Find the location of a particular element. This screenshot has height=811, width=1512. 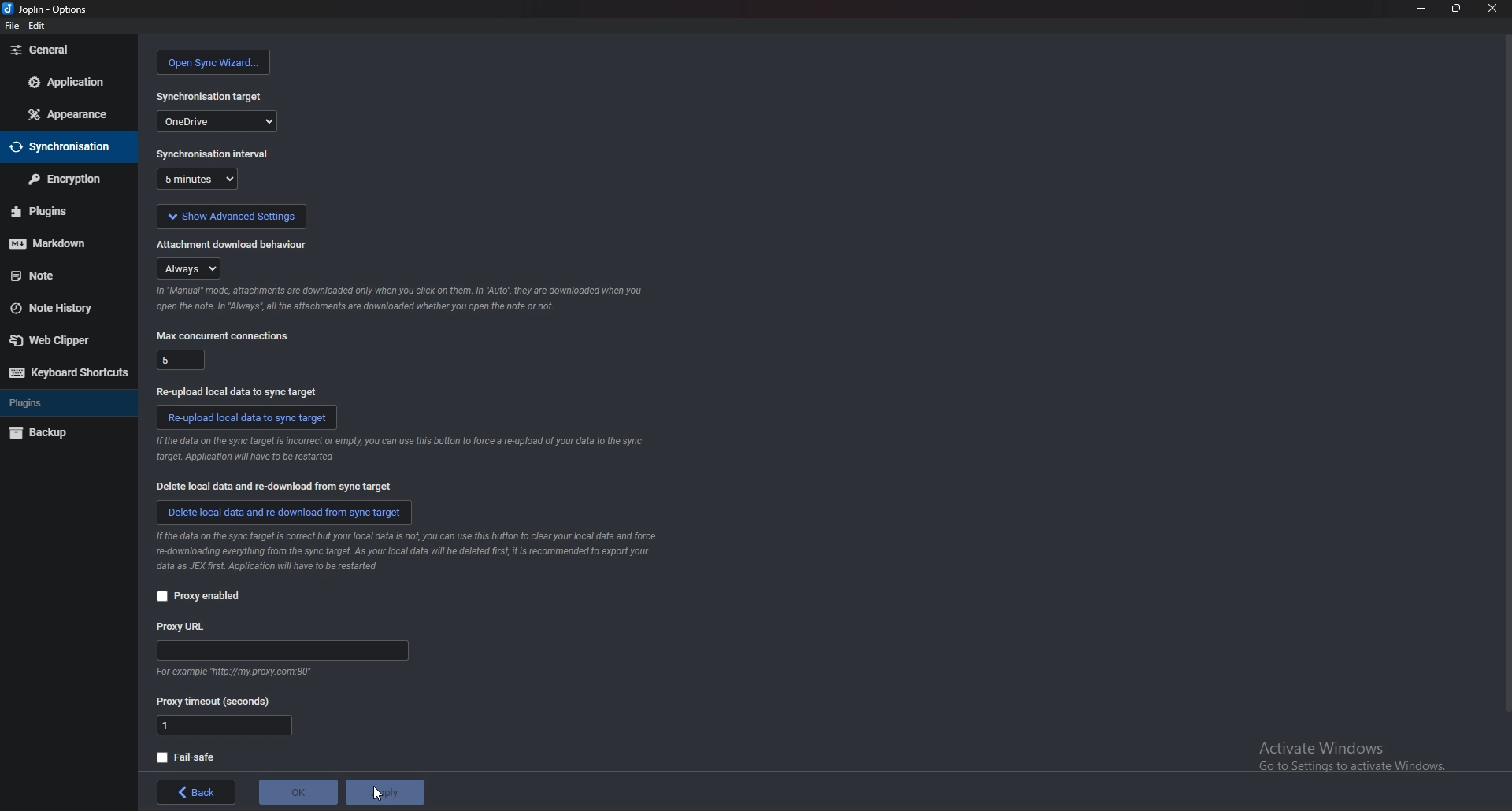

plugins is located at coordinates (57, 403).